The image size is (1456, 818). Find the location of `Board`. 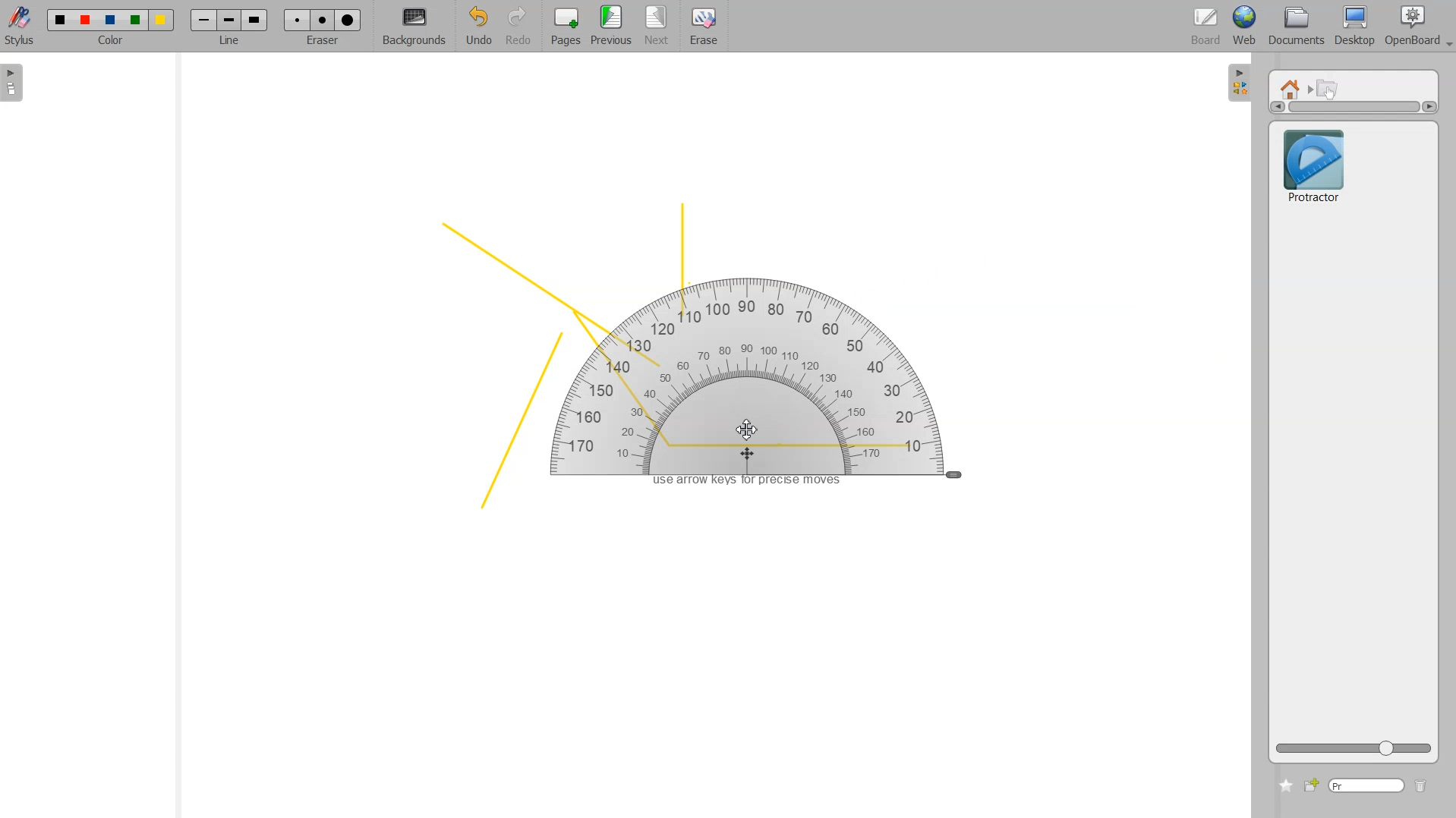

Board is located at coordinates (1206, 27).